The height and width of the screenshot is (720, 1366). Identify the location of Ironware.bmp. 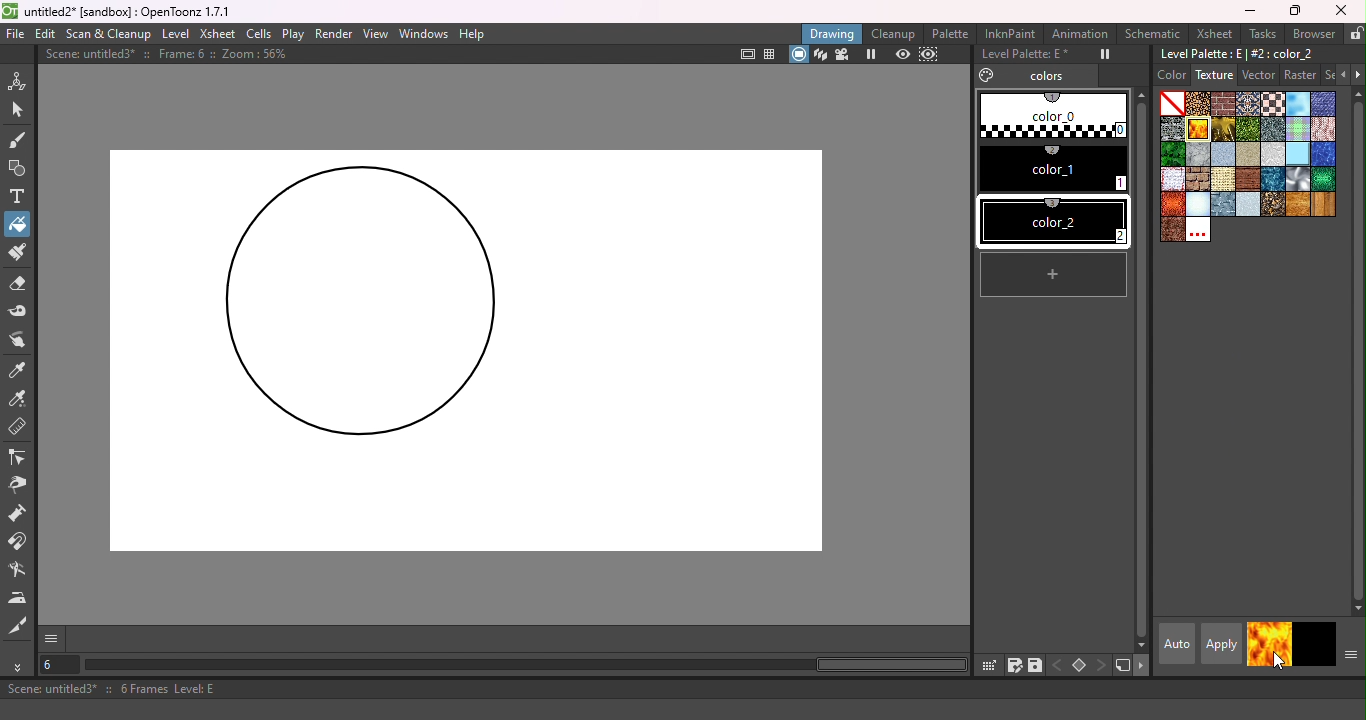
(1273, 129).